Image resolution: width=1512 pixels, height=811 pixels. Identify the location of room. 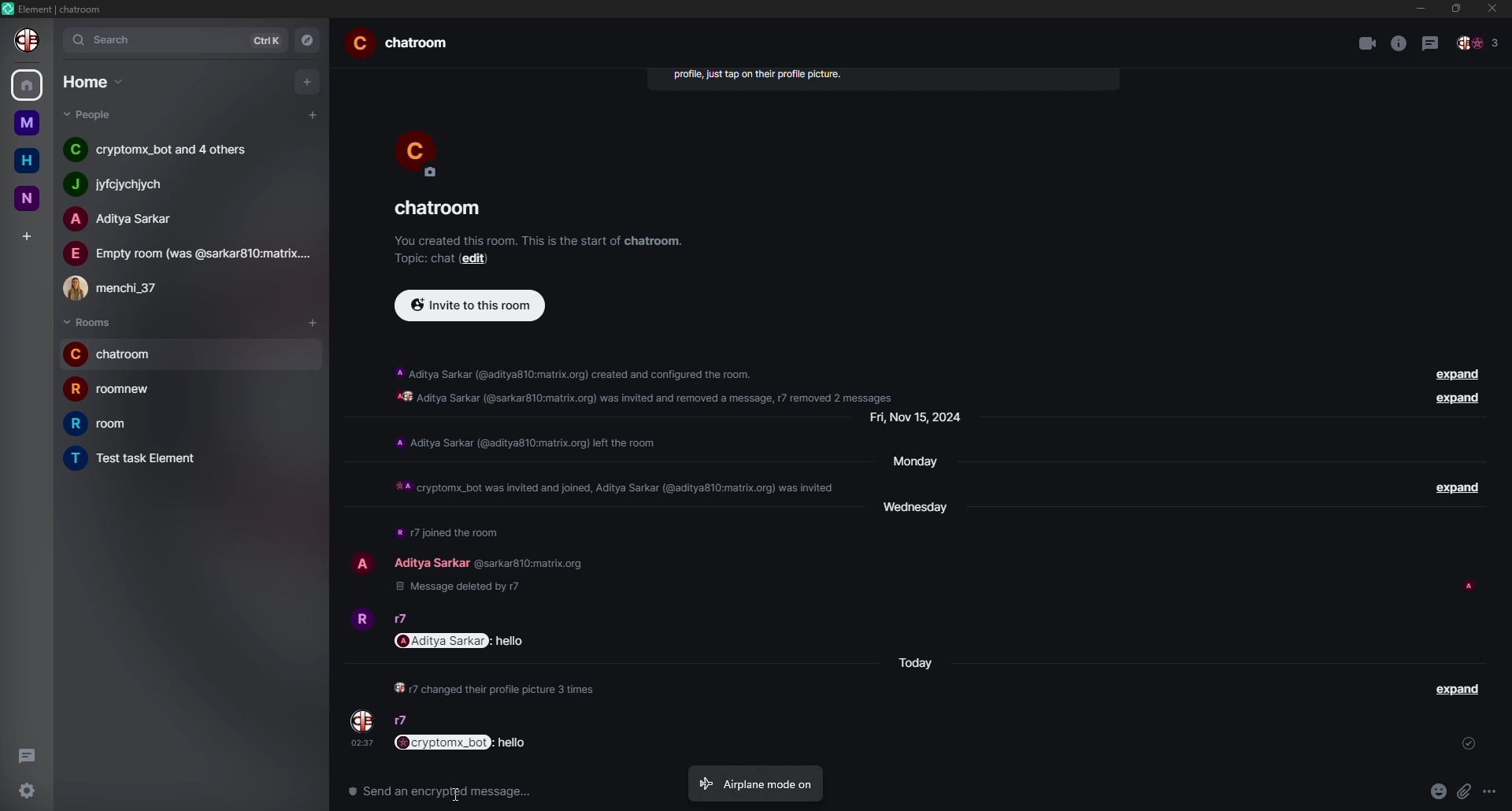
(442, 209).